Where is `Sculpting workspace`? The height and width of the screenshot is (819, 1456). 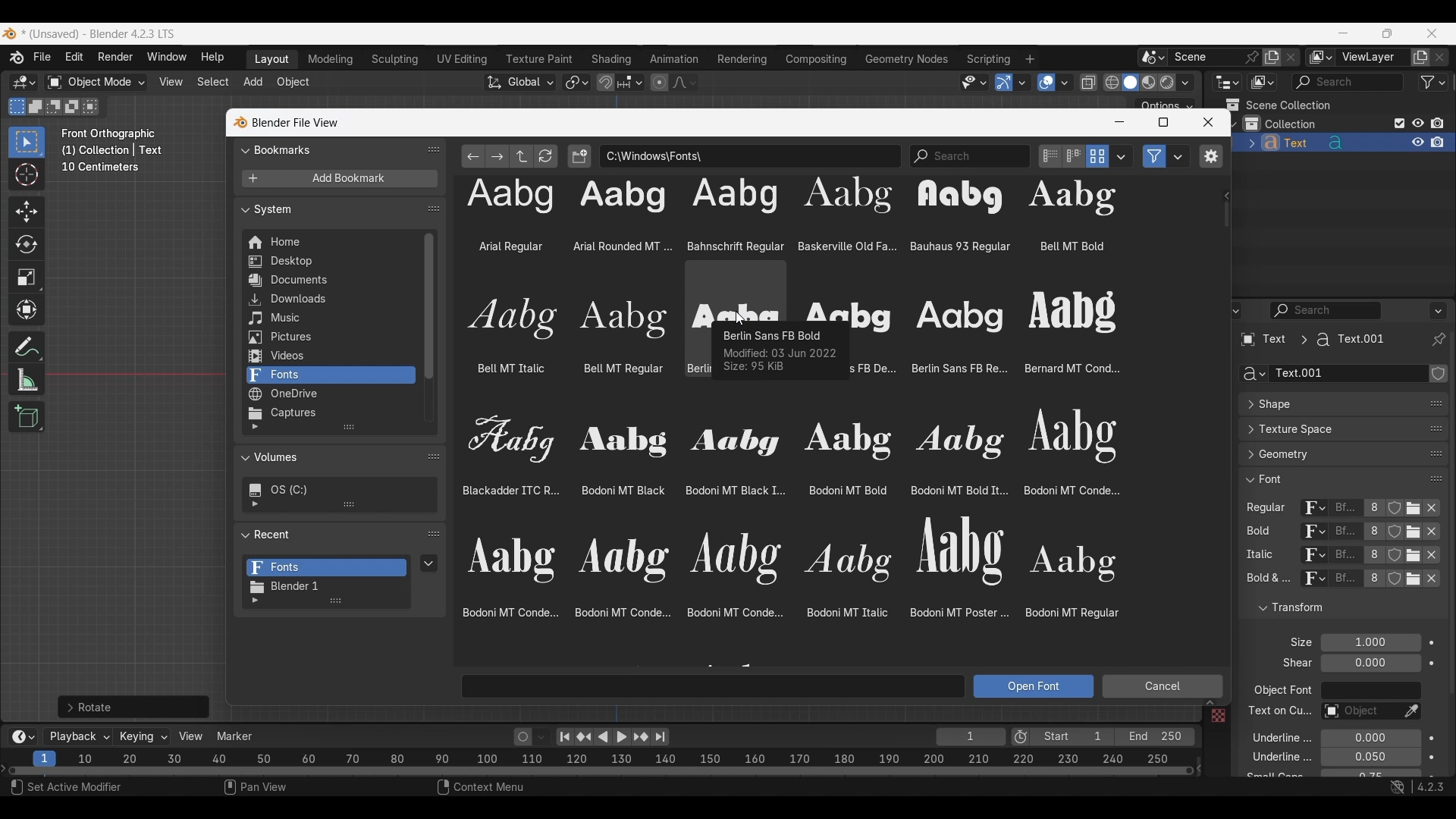
Sculpting workspace is located at coordinates (397, 59).